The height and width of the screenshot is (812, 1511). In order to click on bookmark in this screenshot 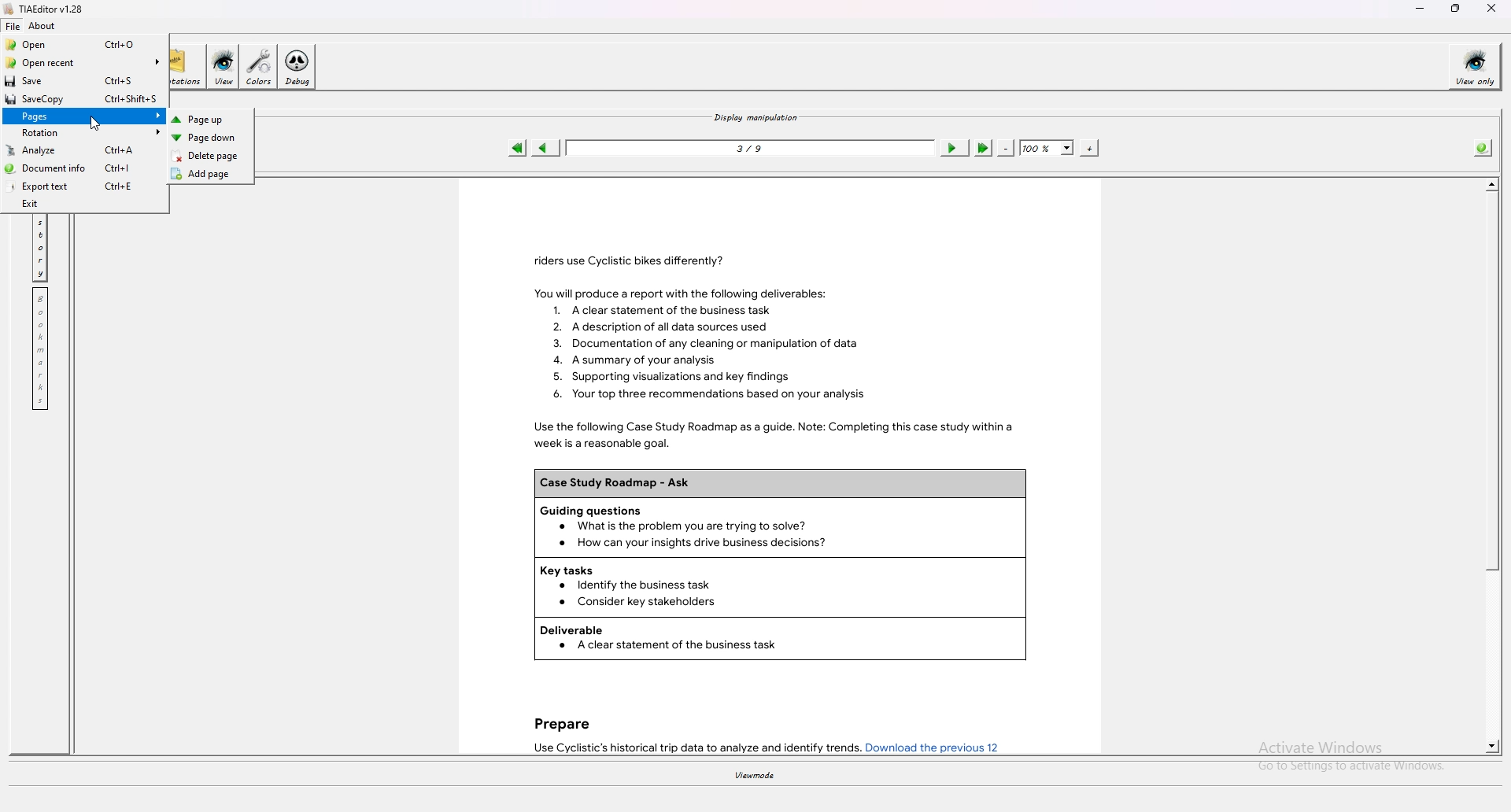, I will do `click(42, 349)`.